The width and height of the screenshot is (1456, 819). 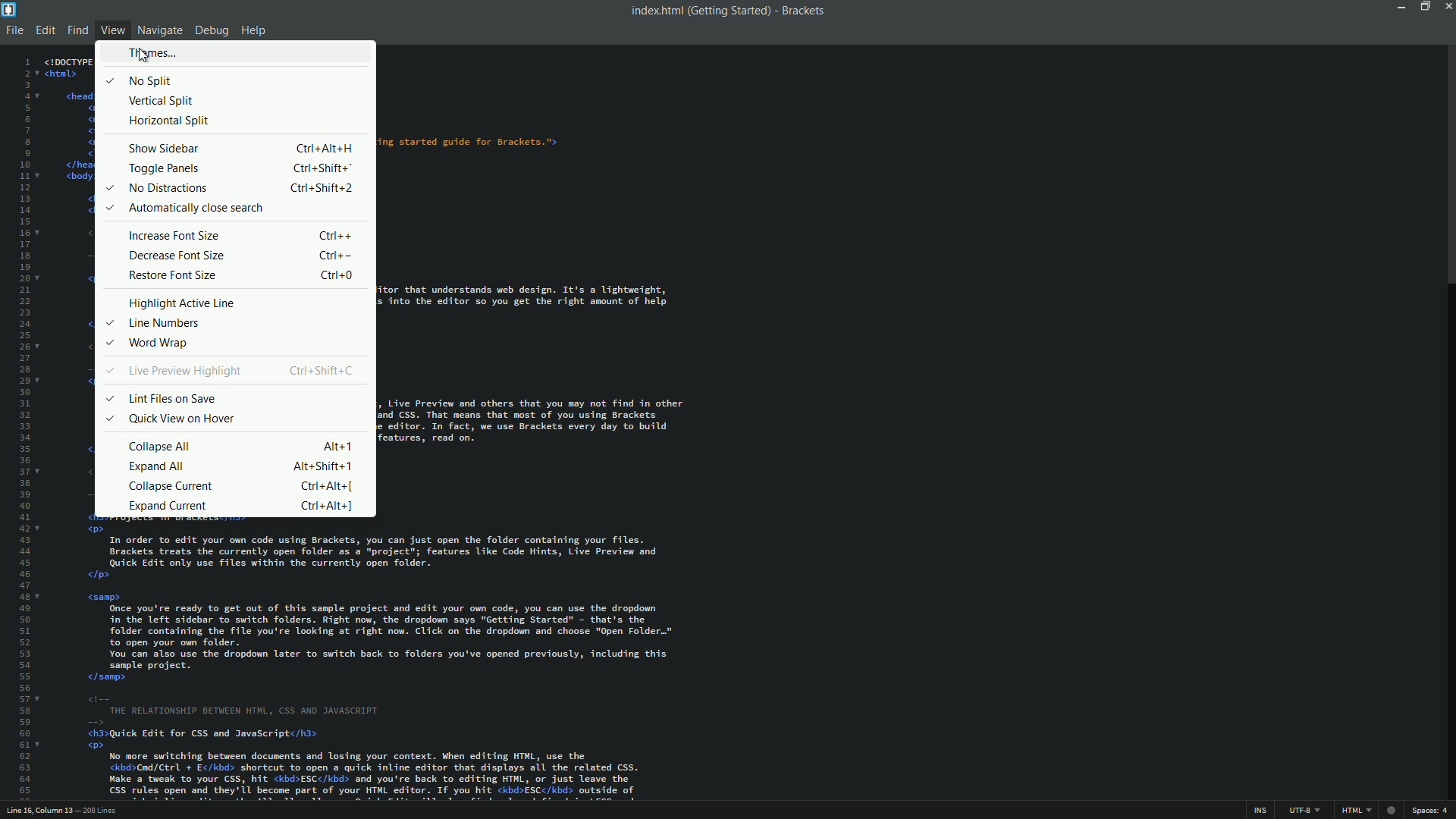 What do you see at coordinates (1422, 6) in the screenshot?
I see `maximize` at bounding box center [1422, 6].